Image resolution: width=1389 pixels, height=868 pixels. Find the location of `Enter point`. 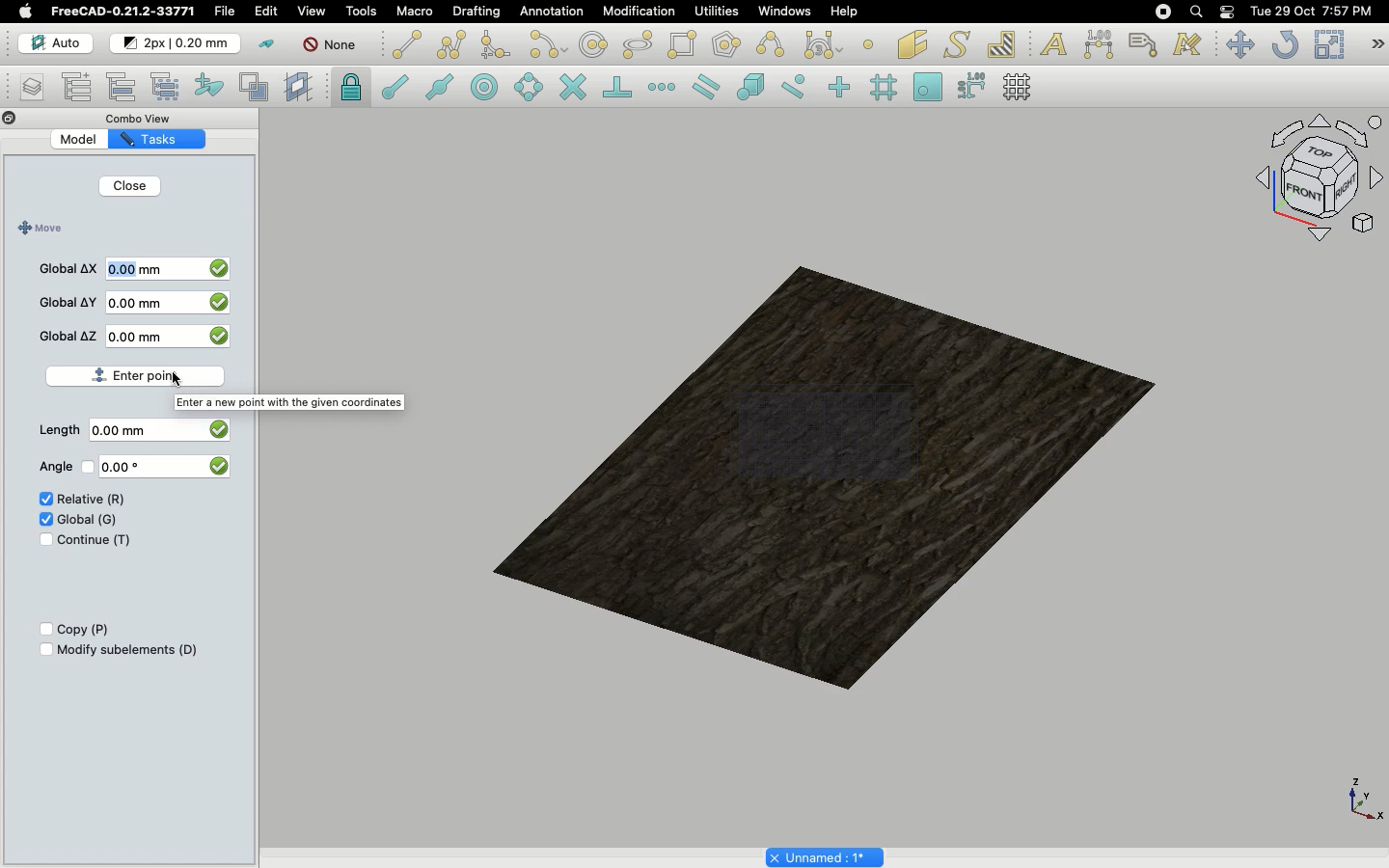

Enter point is located at coordinates (143, 372).